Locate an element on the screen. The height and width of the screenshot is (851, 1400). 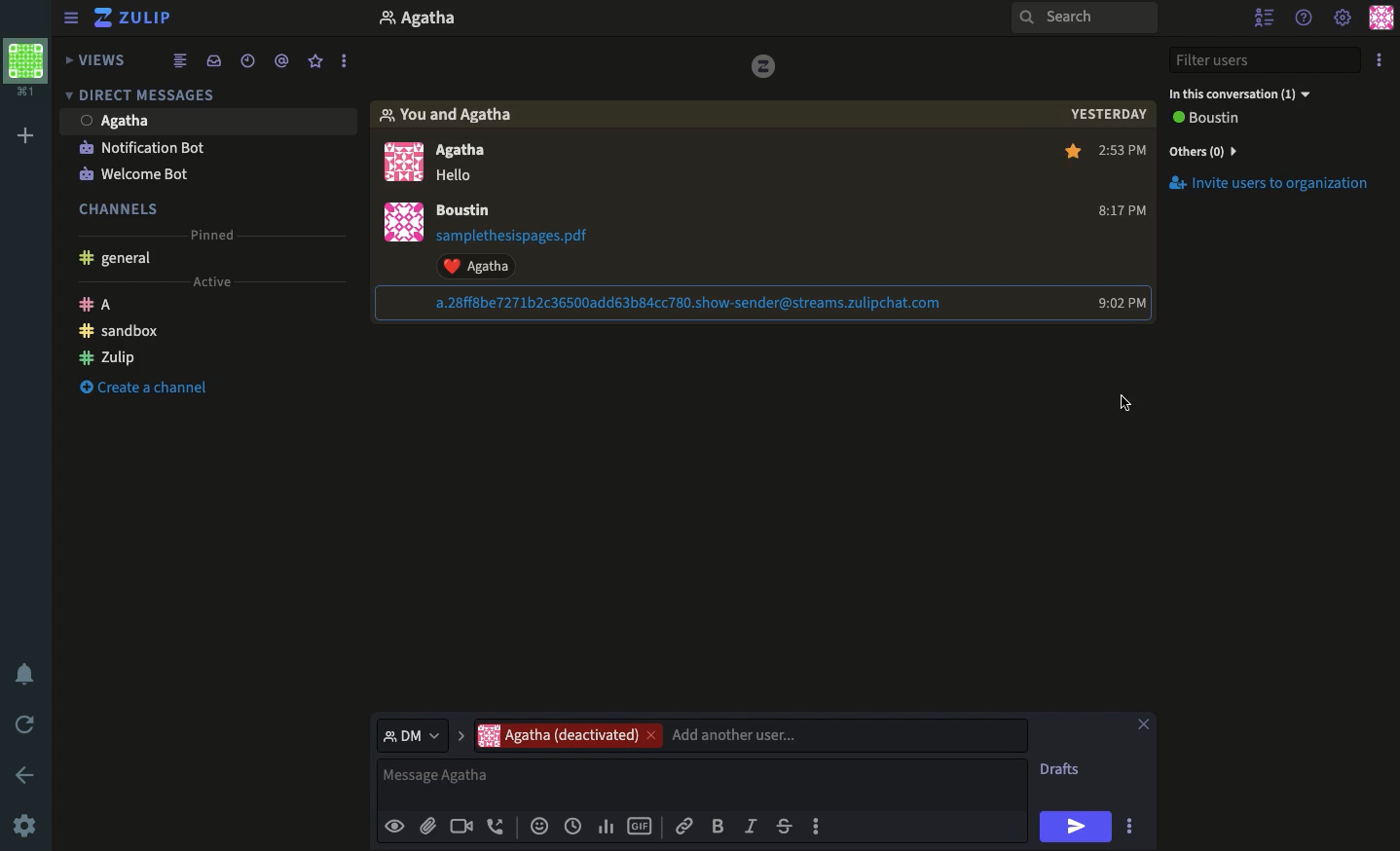
General is located at coordinates (123, 257).